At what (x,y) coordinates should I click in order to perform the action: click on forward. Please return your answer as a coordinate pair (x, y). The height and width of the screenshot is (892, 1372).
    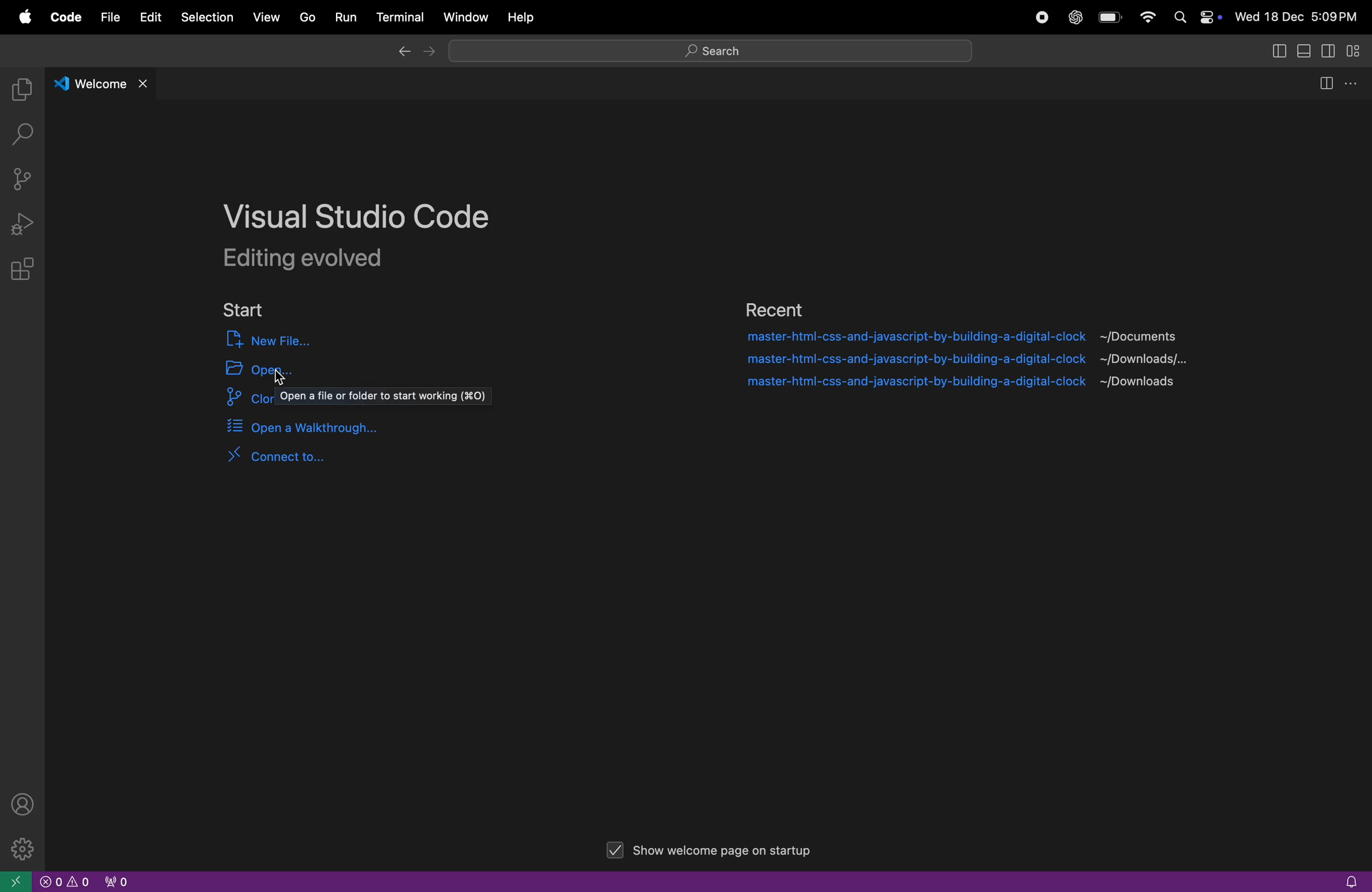
    Looking at the image, I should click on (431, 54).